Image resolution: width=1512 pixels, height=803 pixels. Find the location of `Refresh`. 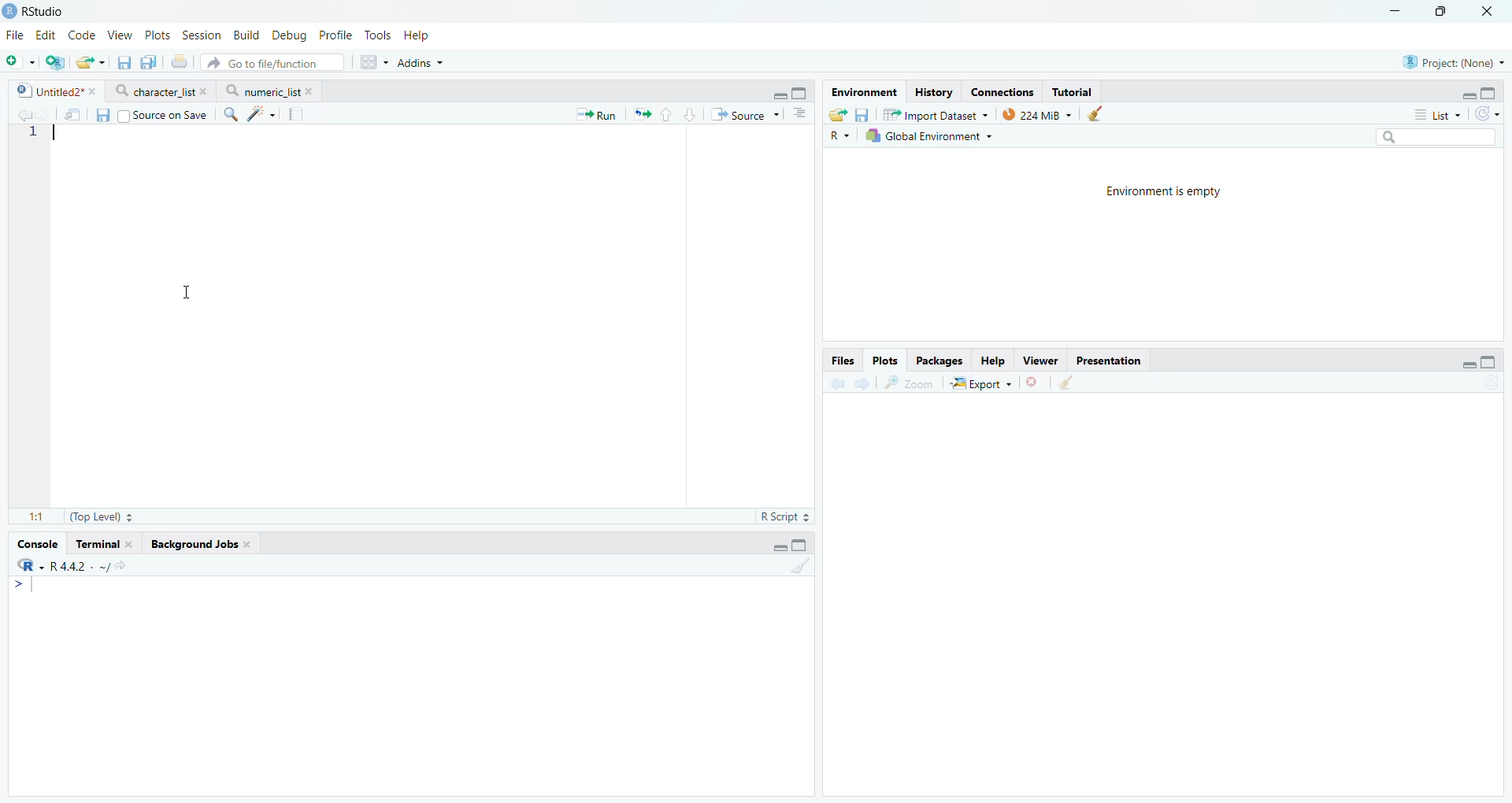

Refresh is located at coordinates (1488, 113).